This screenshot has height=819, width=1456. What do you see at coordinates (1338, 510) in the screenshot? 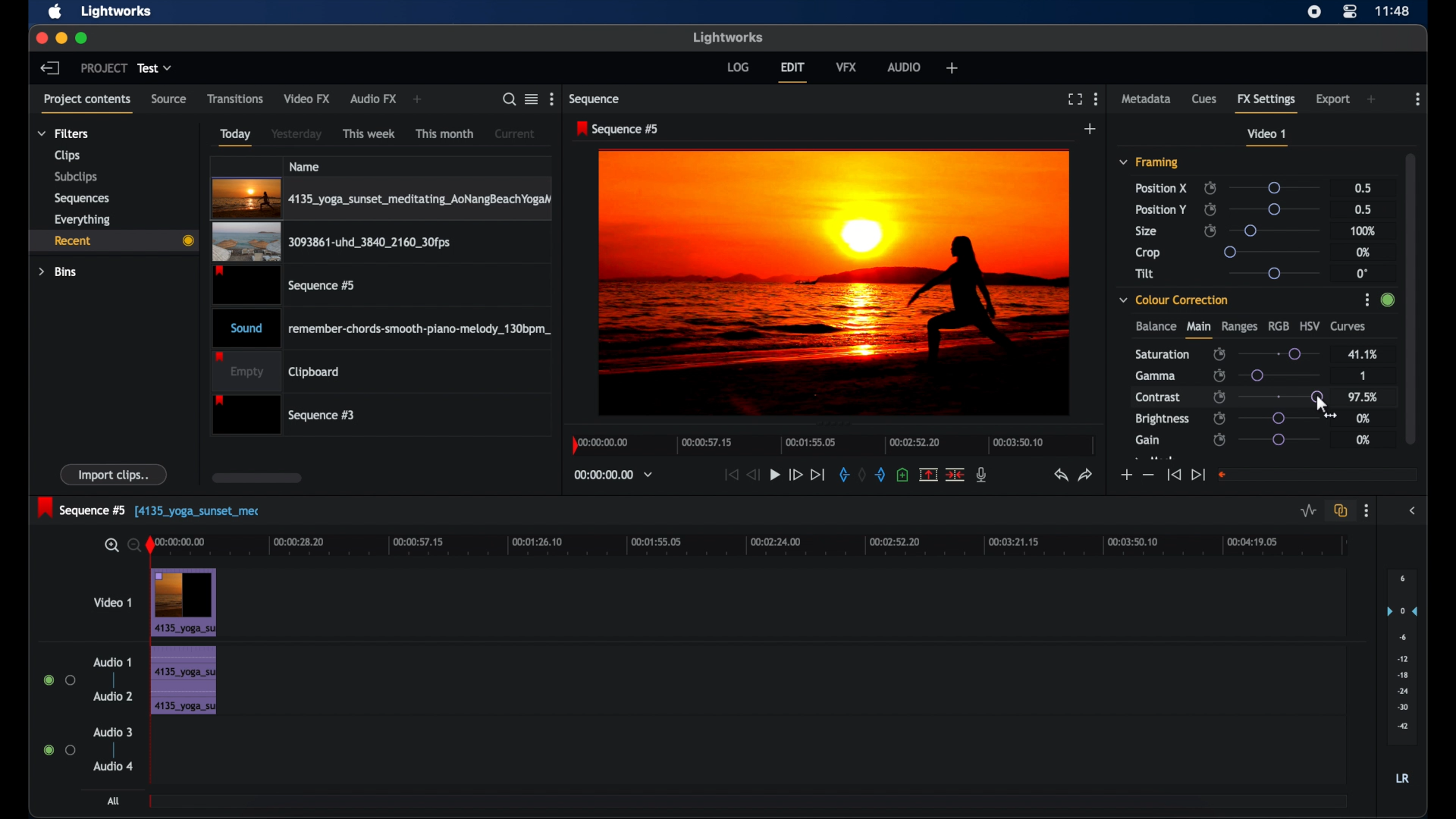
I see `toggle auto track sync` at bounding box center [1338, 510].